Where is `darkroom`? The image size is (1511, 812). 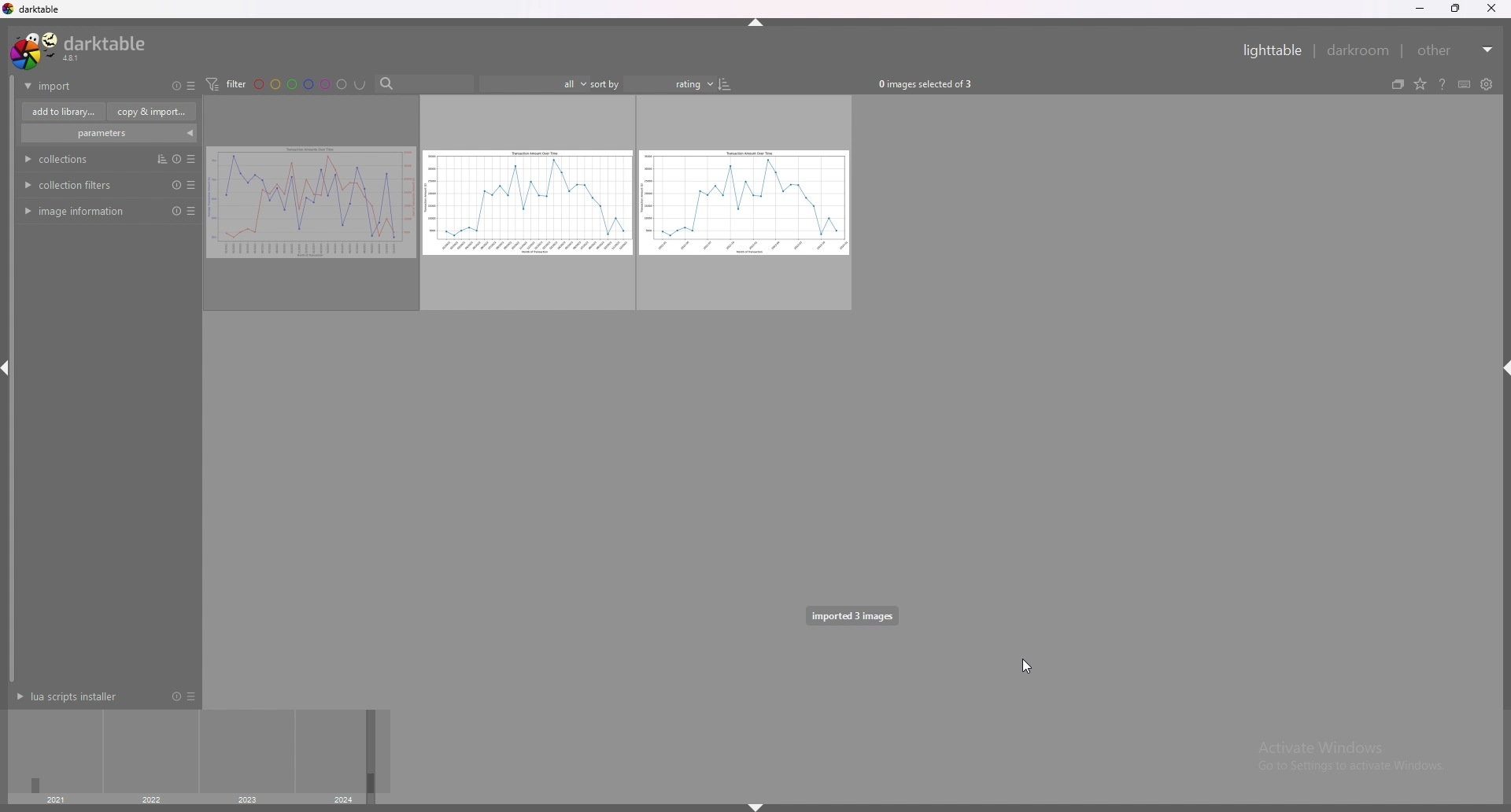
darkroom is located at coordinates (1359, 50).